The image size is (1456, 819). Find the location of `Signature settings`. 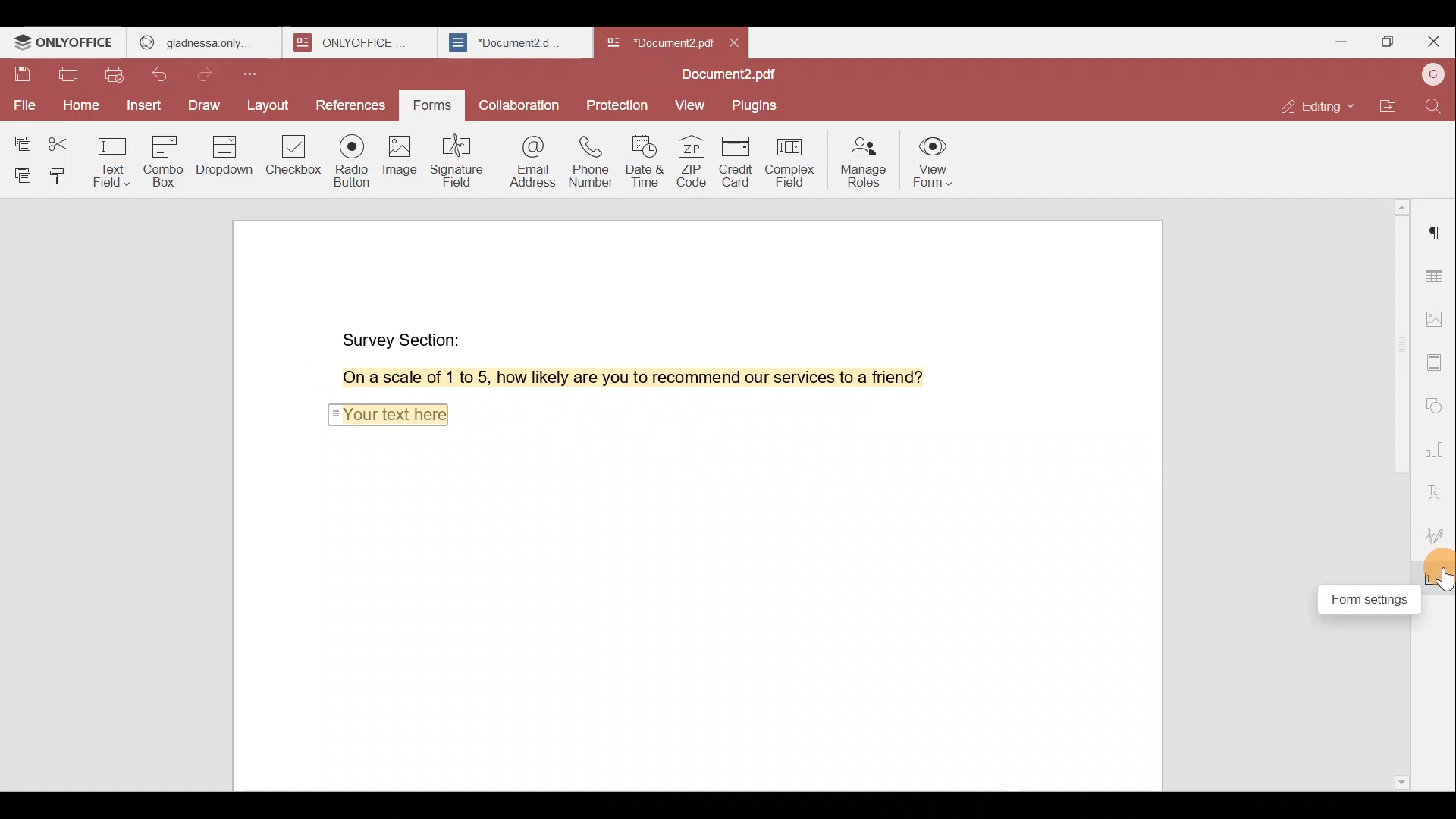

Signature settings is located at coordinates (1439, 534).